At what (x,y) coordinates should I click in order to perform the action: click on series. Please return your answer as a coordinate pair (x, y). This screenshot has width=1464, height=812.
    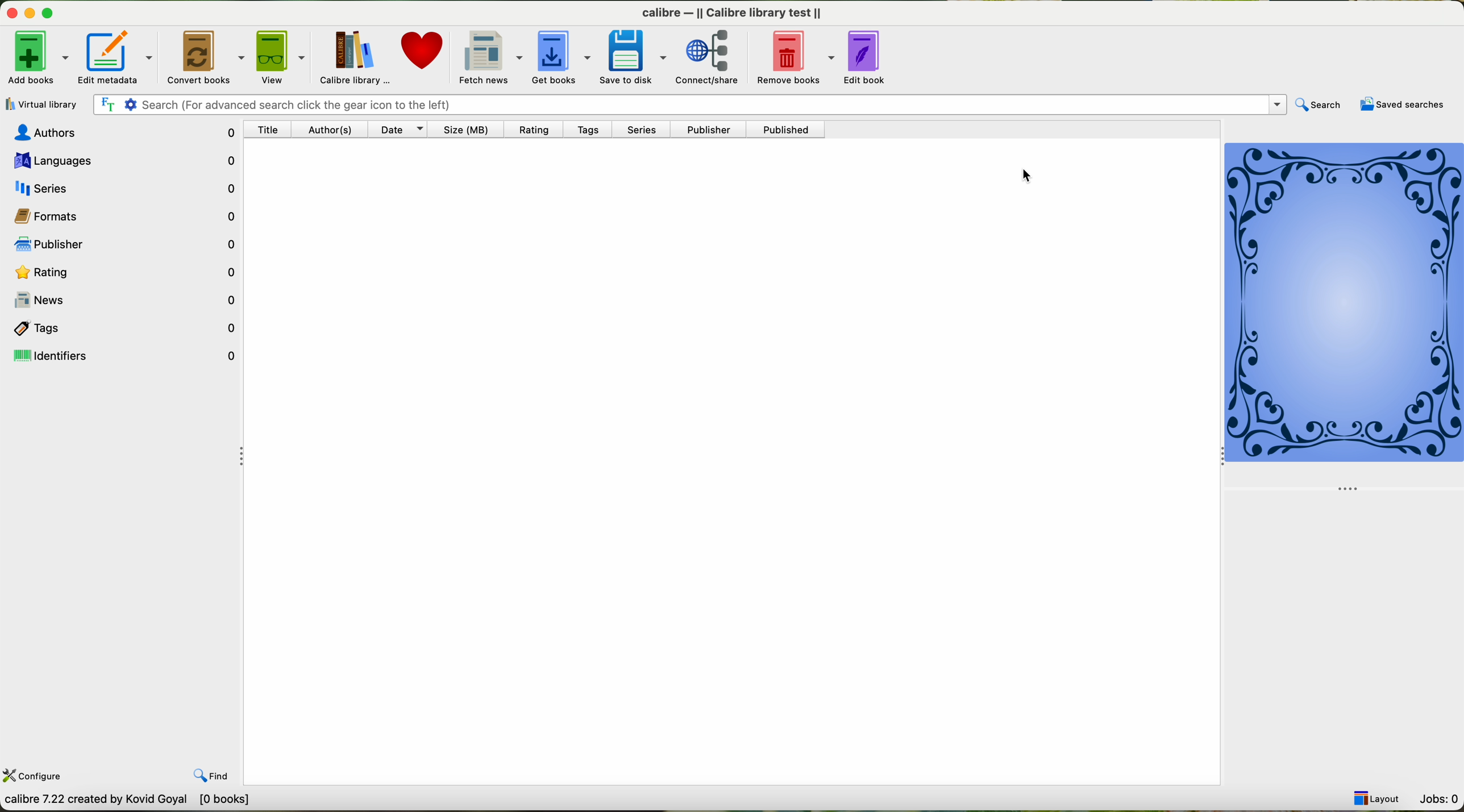
    Looking at the image, I should click on (647, 130).